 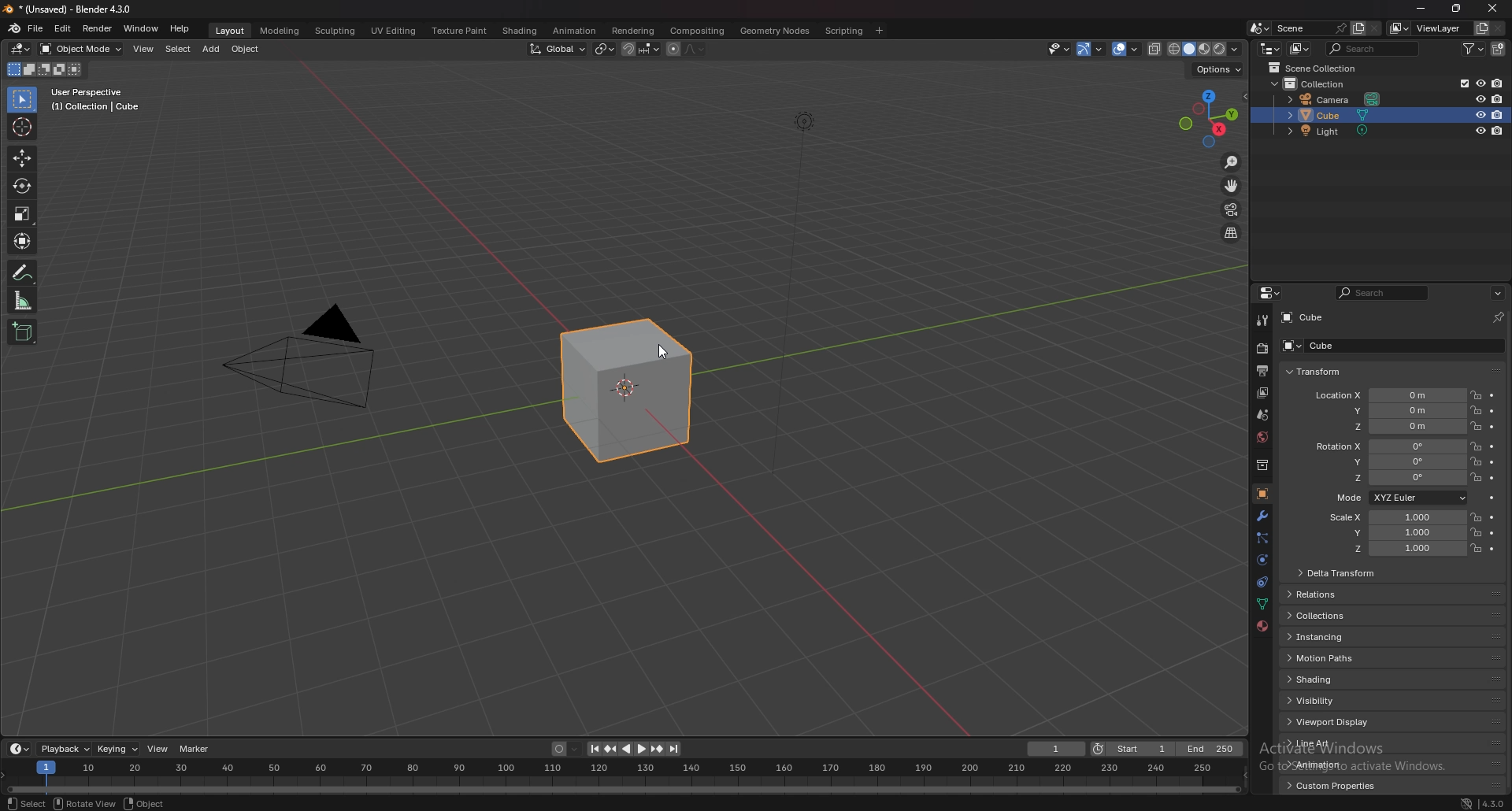 I want to click on add layer, so click(x=1358, y=28).